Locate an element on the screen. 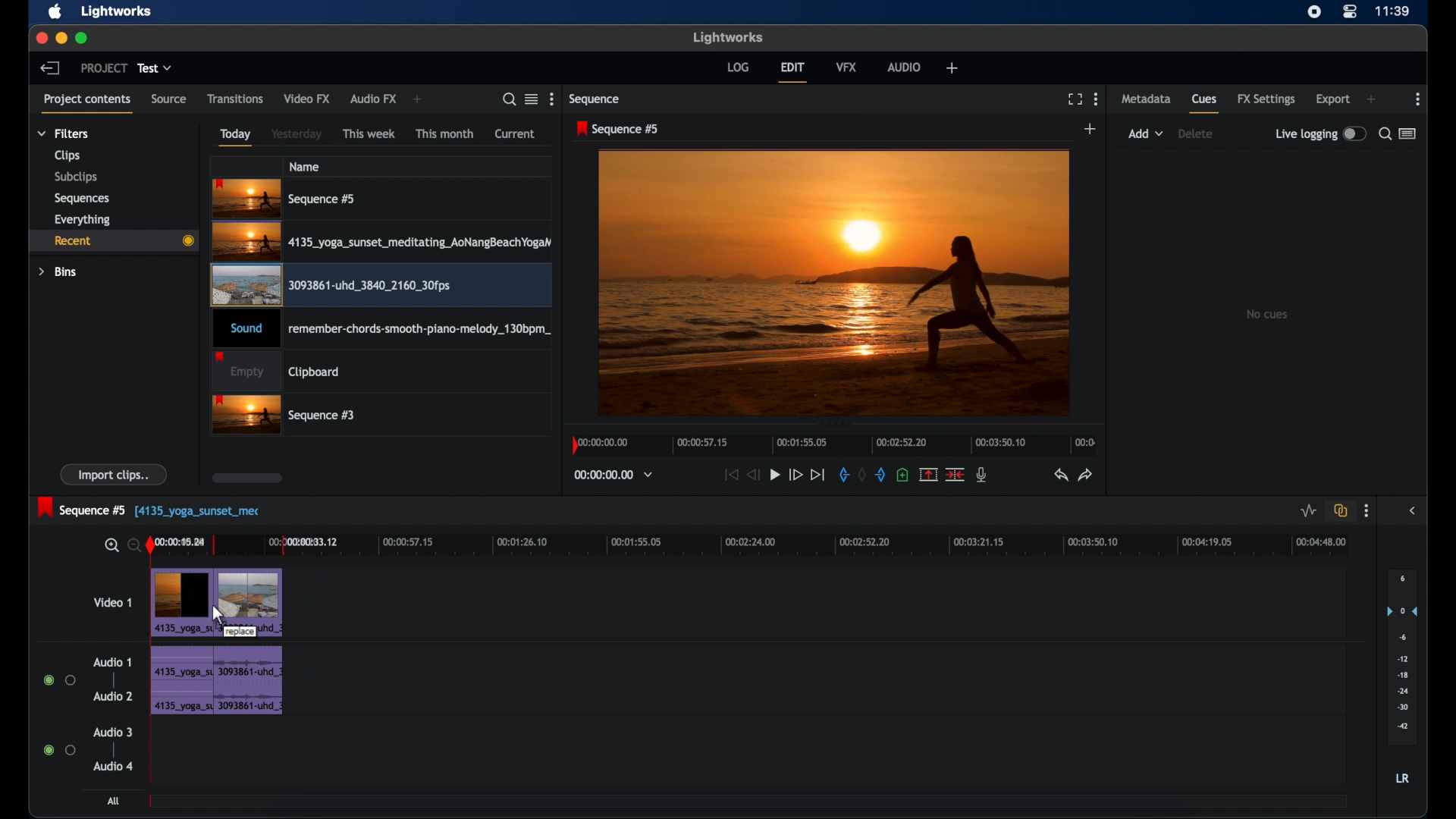 The image size is (1456, 819). add is located at coordinates (417, 99).